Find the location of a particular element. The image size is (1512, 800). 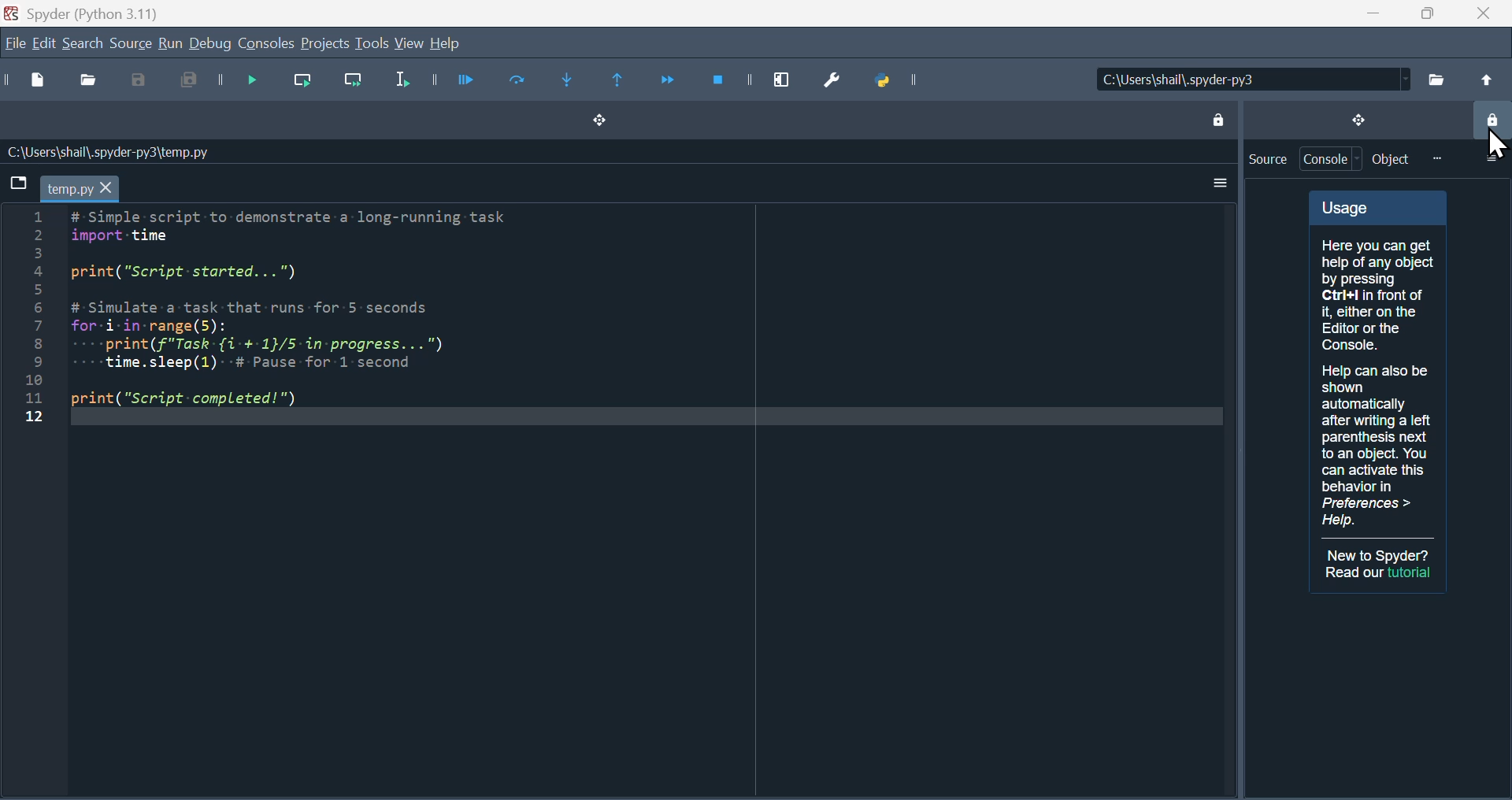

browse a working directory is located at coordinates (1436, 79).